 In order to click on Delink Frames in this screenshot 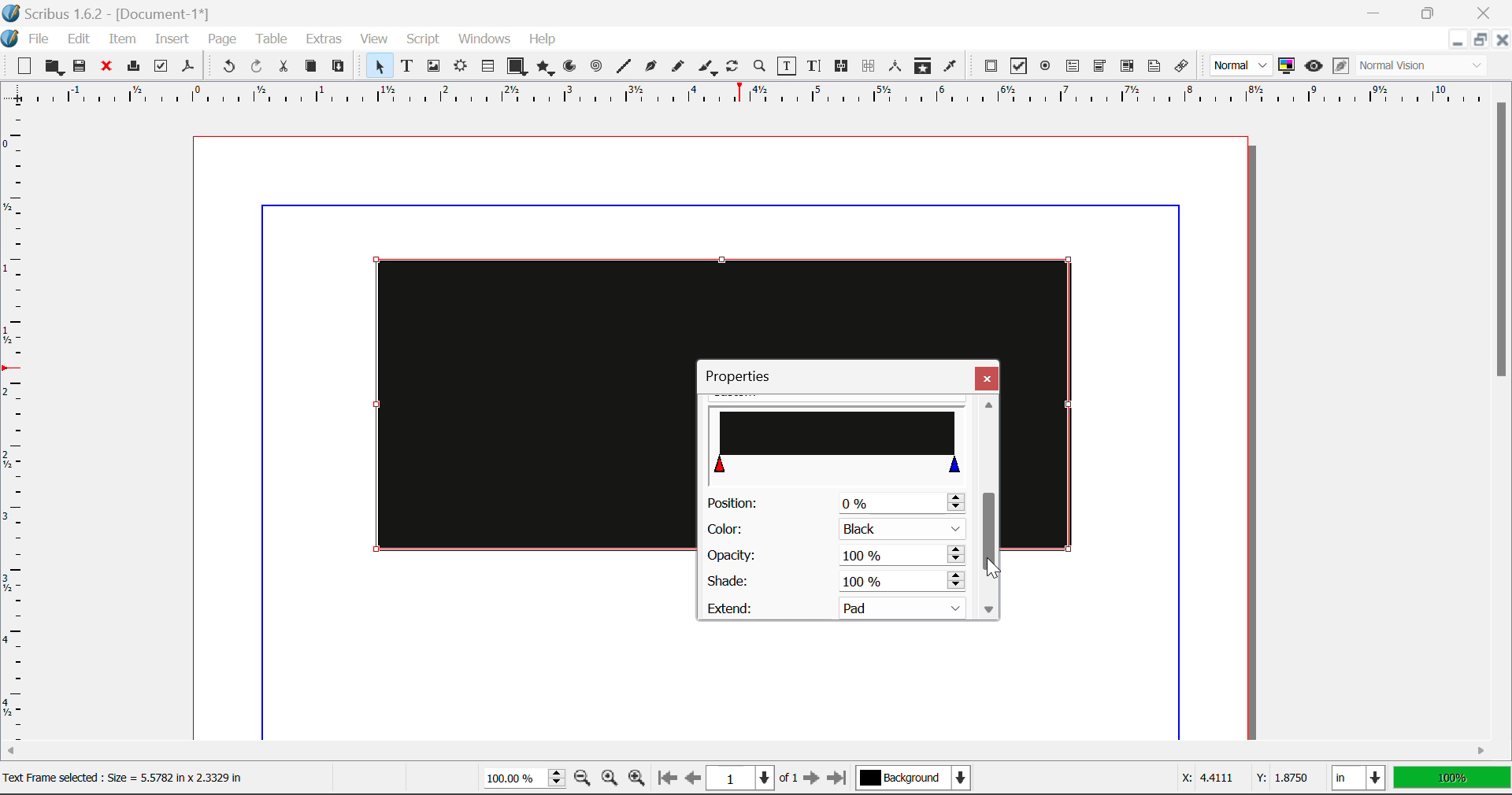, I will do `click(869, 66)`.